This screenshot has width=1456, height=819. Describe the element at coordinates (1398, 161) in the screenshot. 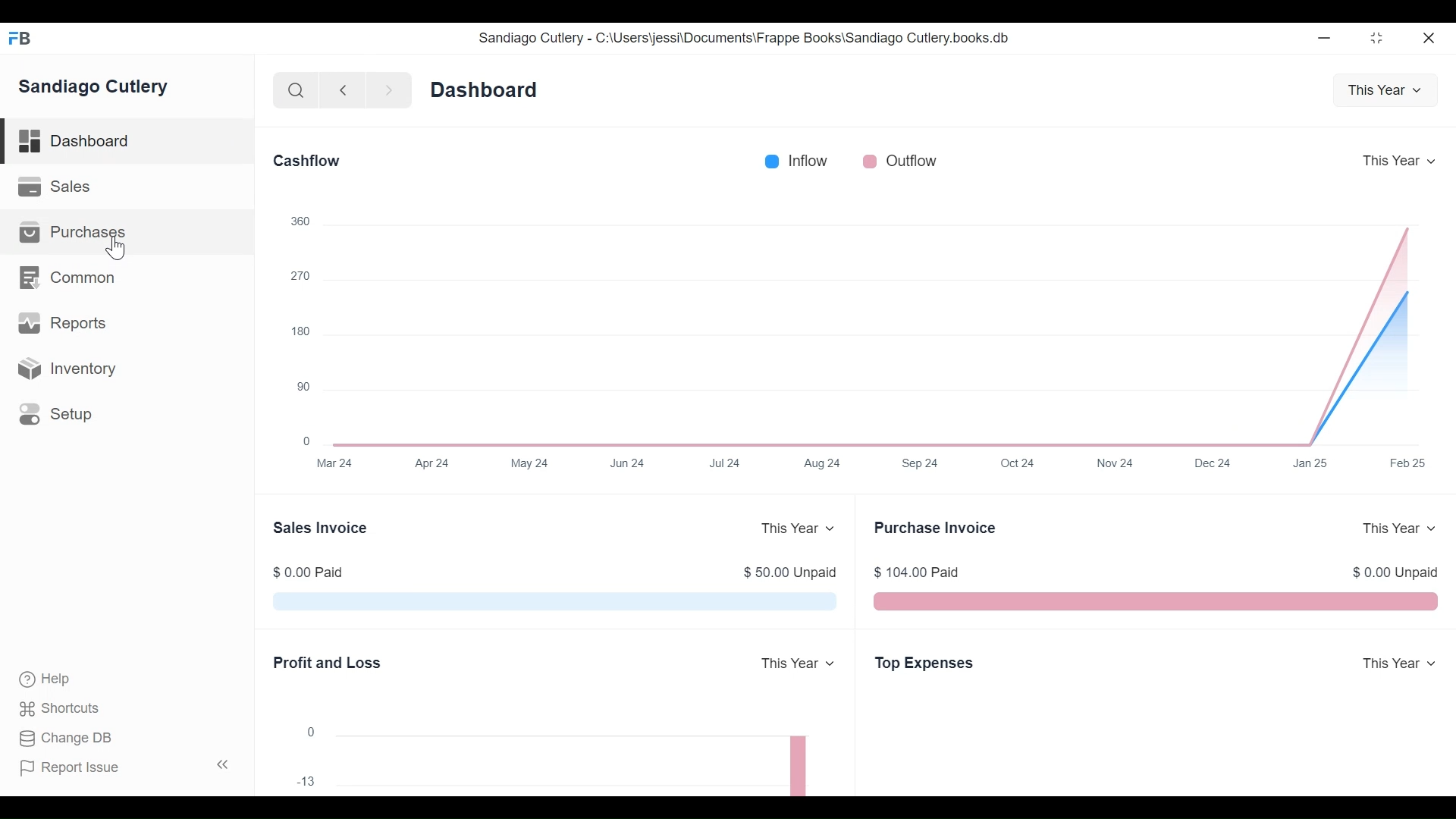

I see `This Year` at that location.